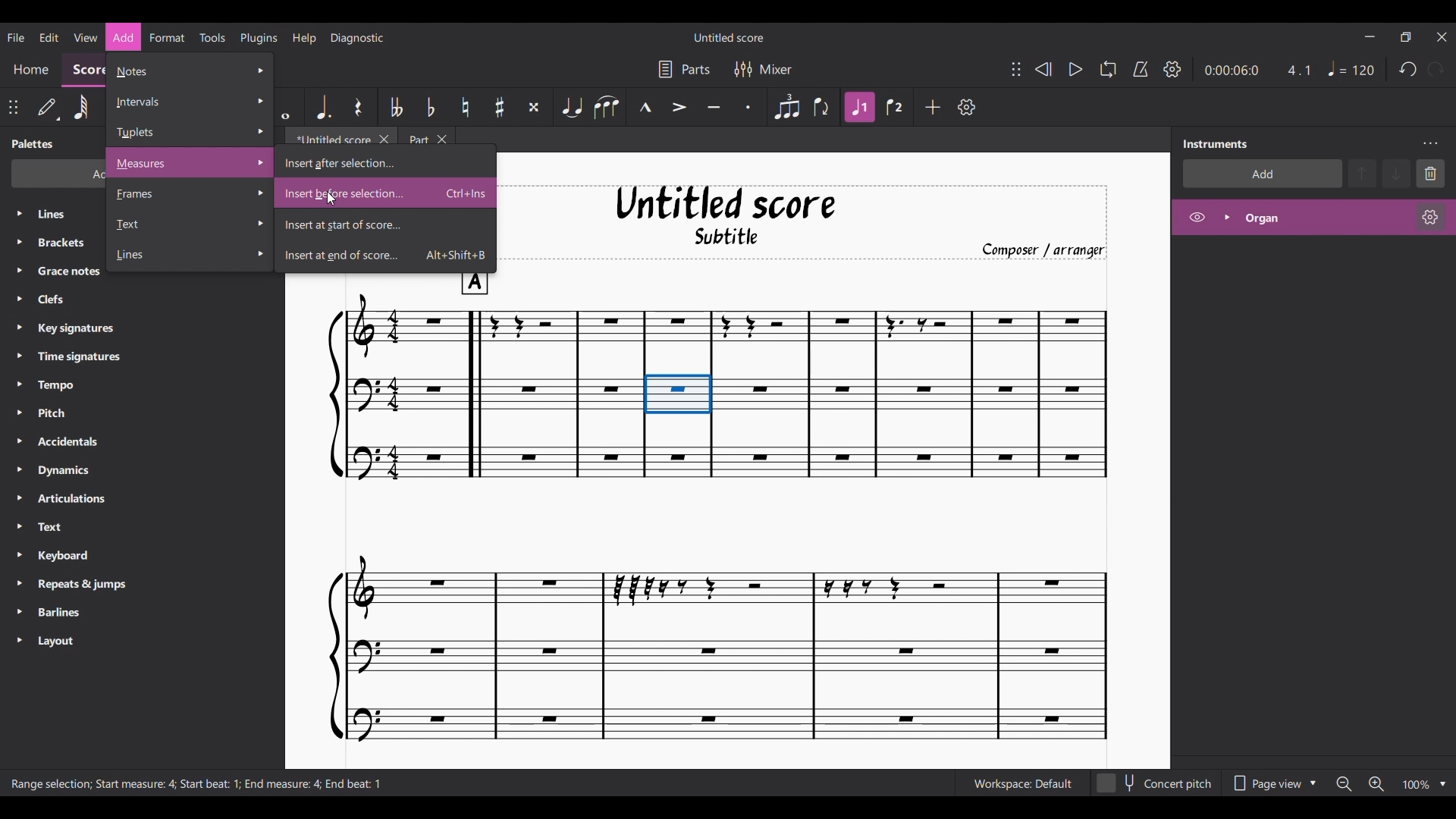 The width and height of the screenshot is (1456, 819). Describe the element at coordinates (386, 162) in the screenshot. I see `Insert after selection` at that location.